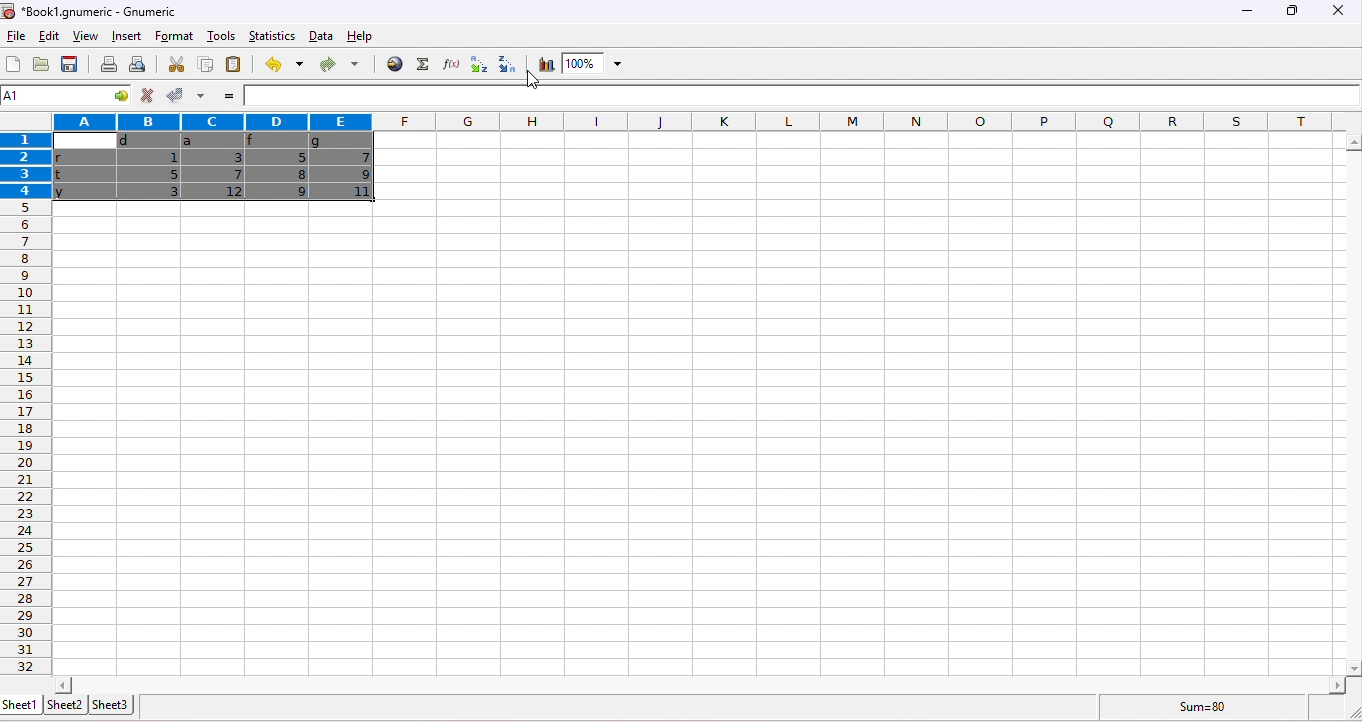  Describe the element at coordinates (141, 64) in the screenshot. I see `print preview` at that location.